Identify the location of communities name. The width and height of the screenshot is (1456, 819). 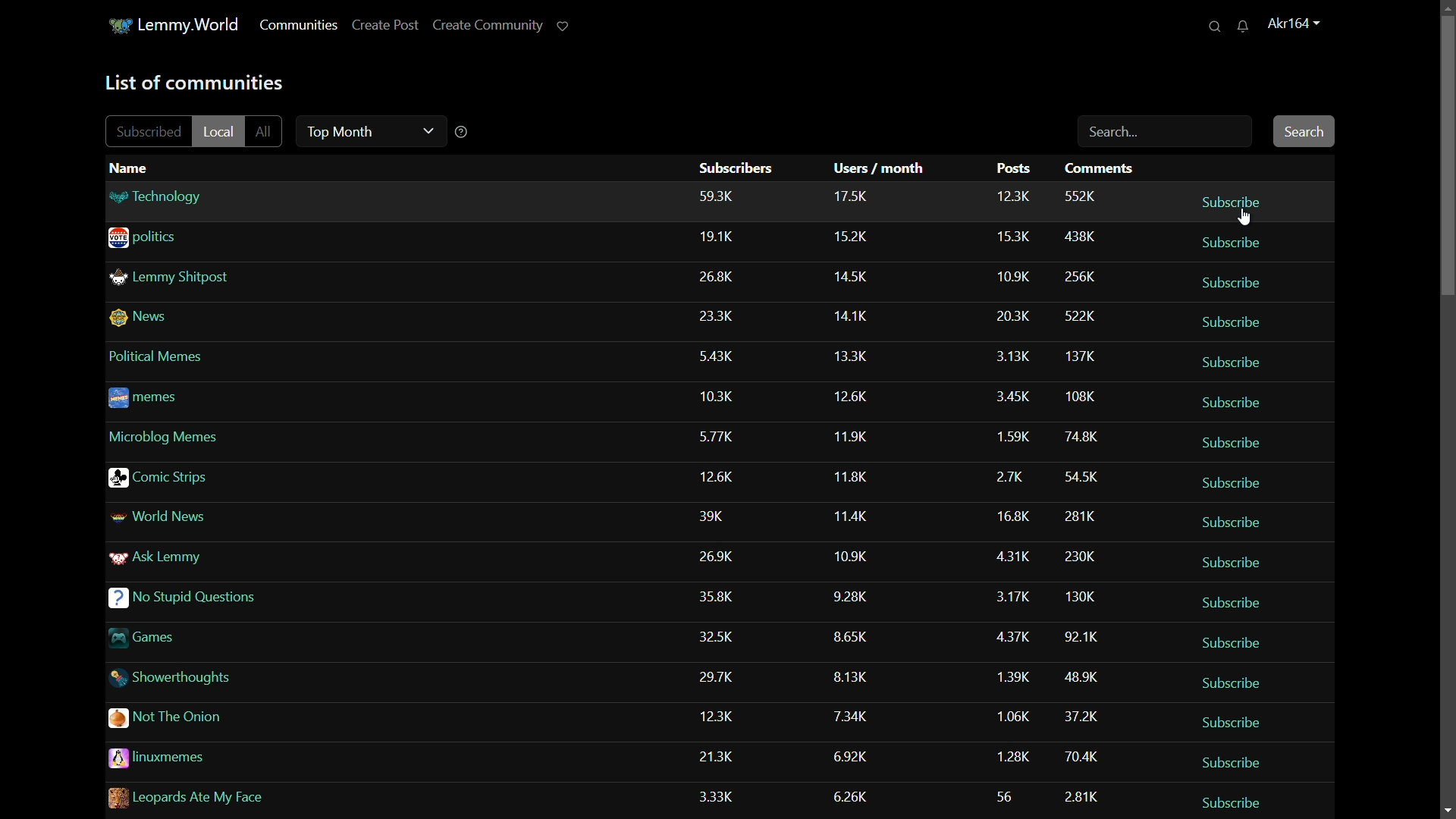
(245, 318).